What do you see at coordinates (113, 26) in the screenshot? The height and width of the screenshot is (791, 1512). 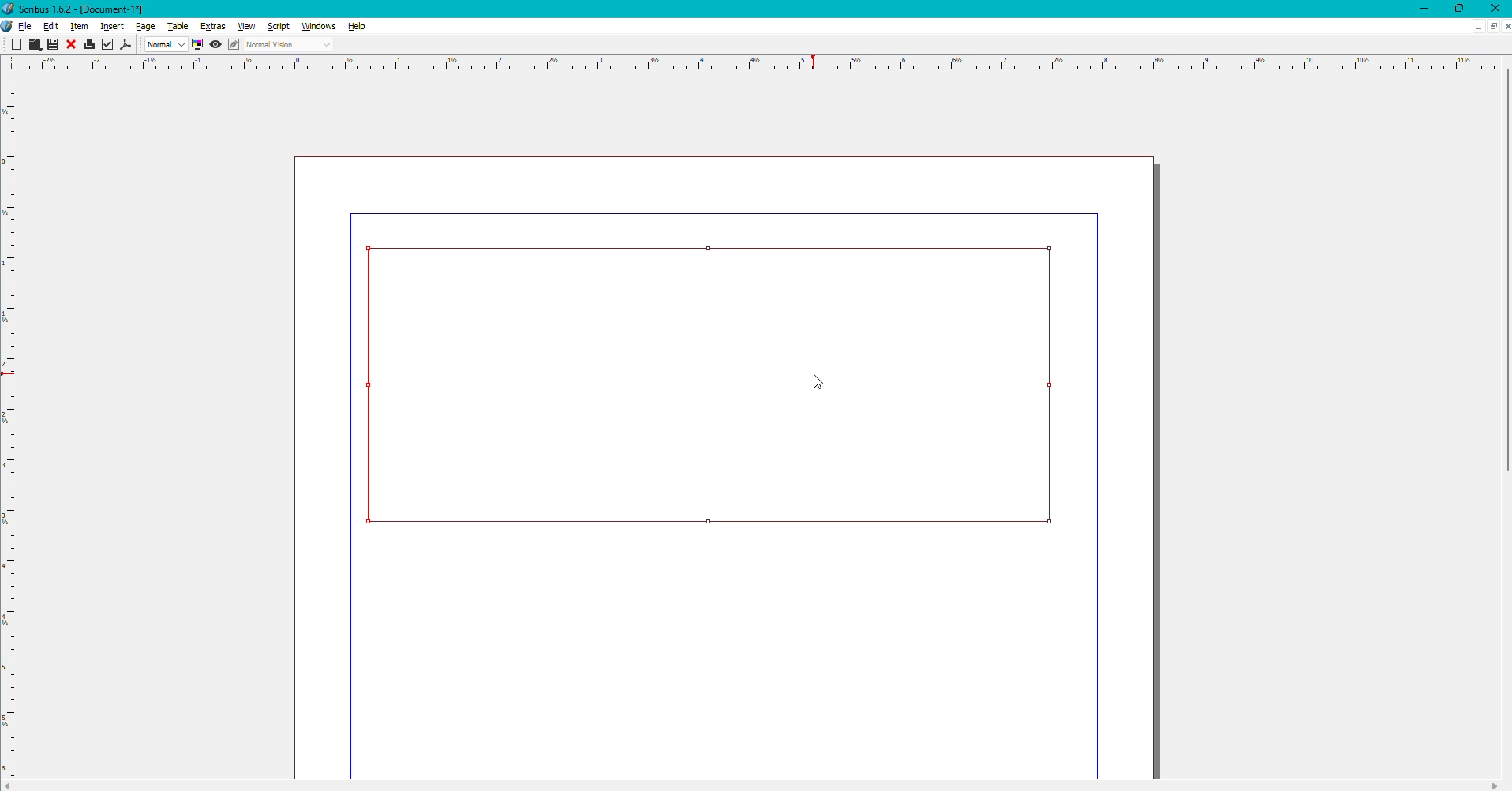 I see `Insert` at bounding box center [113, 26].